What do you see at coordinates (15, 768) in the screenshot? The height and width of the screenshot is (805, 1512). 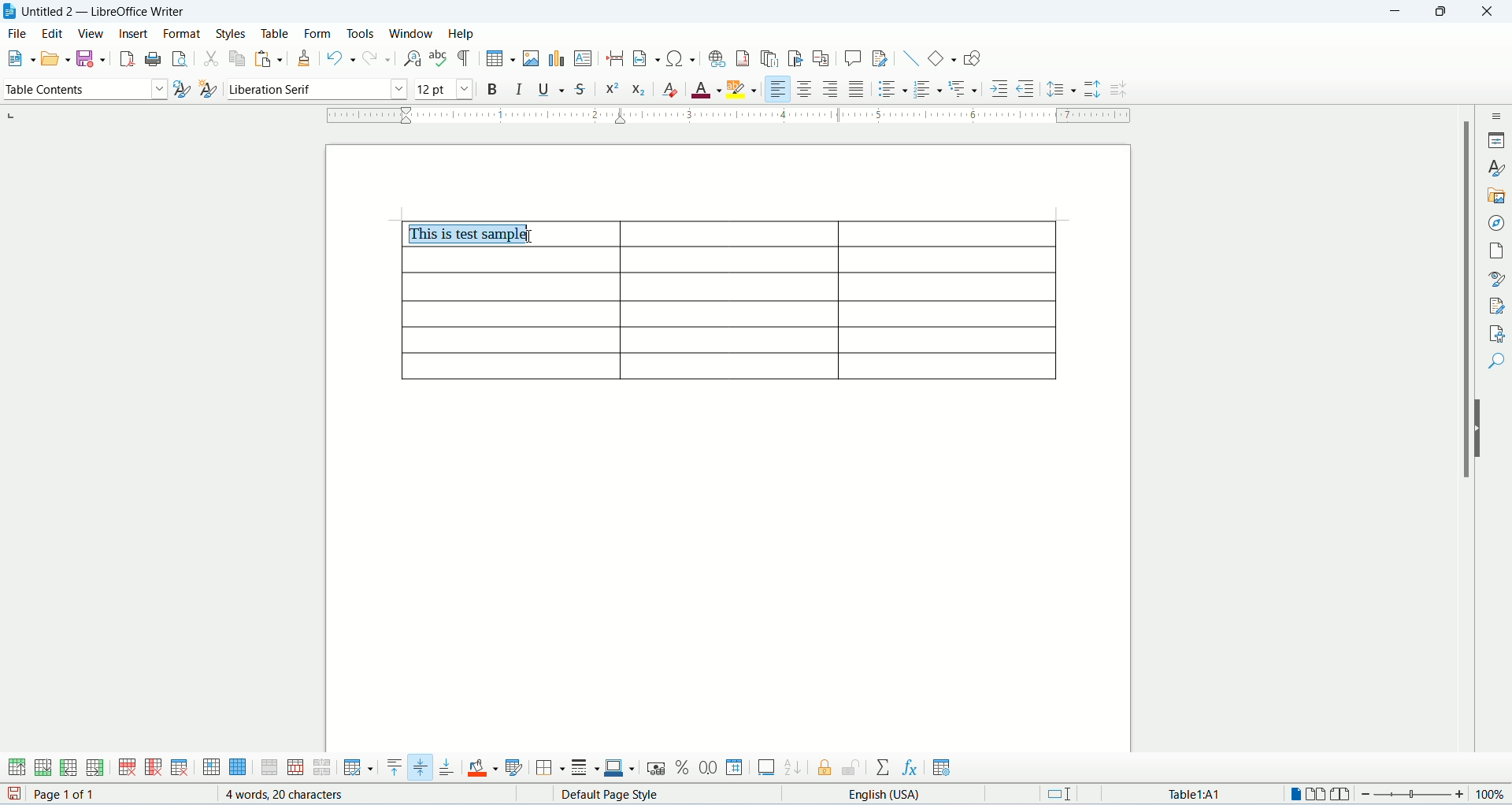 I see `insert rows above` at bounding box center [15, 768].